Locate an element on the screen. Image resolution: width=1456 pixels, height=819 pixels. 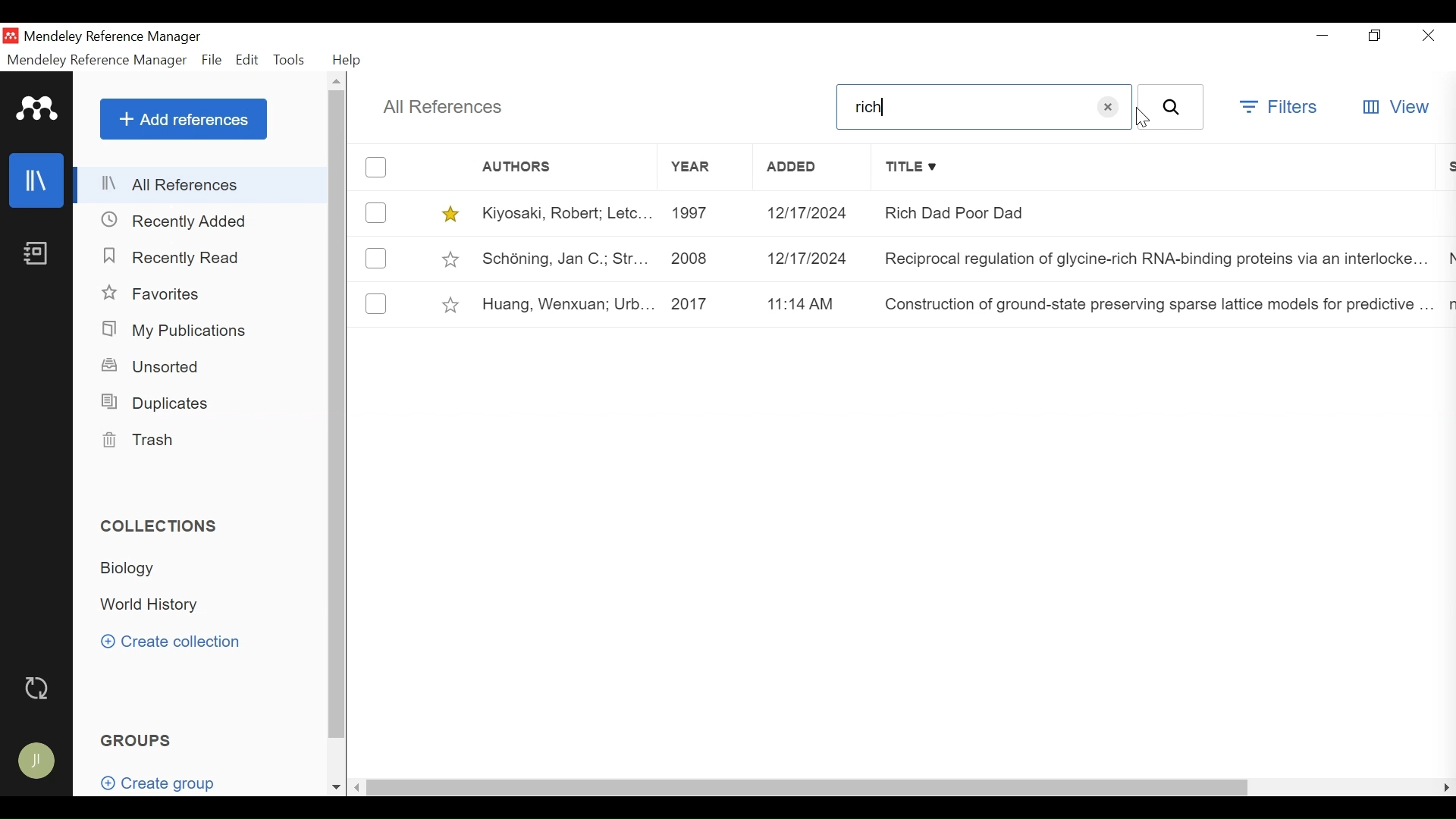
Authors is located at coordinates (532, 167).